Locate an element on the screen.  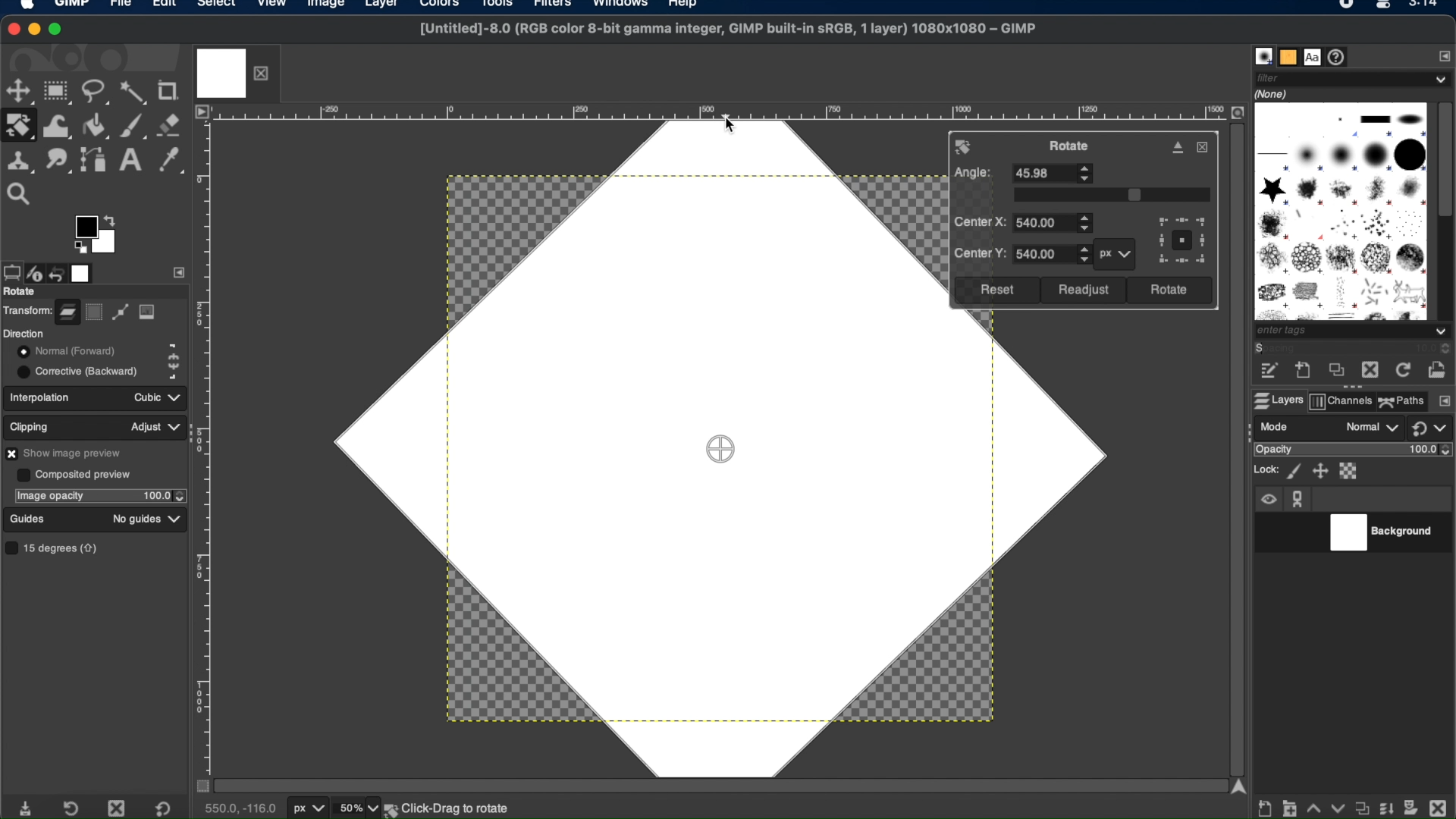
open brush as image is located at coordinates (1438, 366).